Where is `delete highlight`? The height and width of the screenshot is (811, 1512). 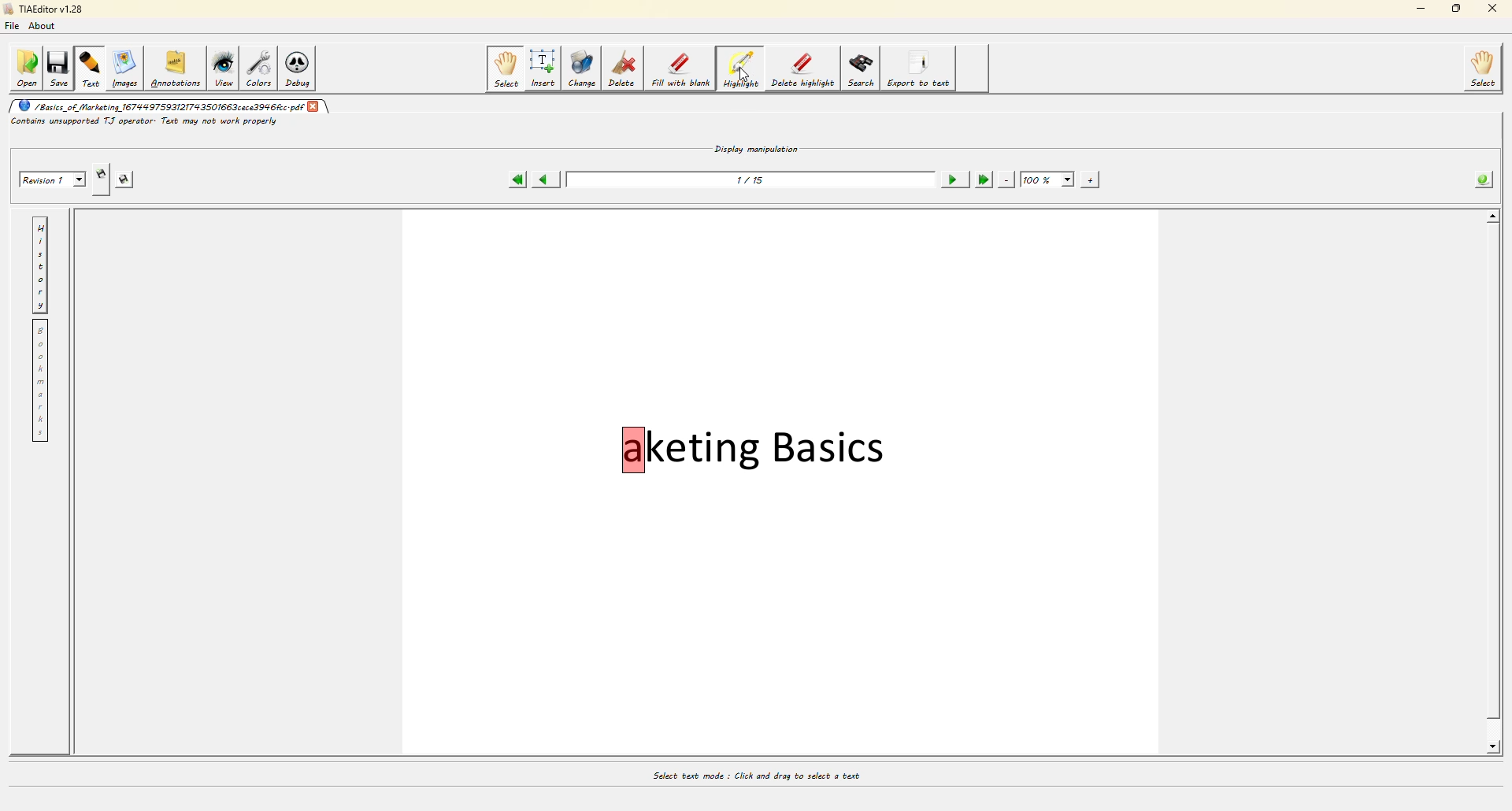 delete highlight is located at coordinates (804, 70).